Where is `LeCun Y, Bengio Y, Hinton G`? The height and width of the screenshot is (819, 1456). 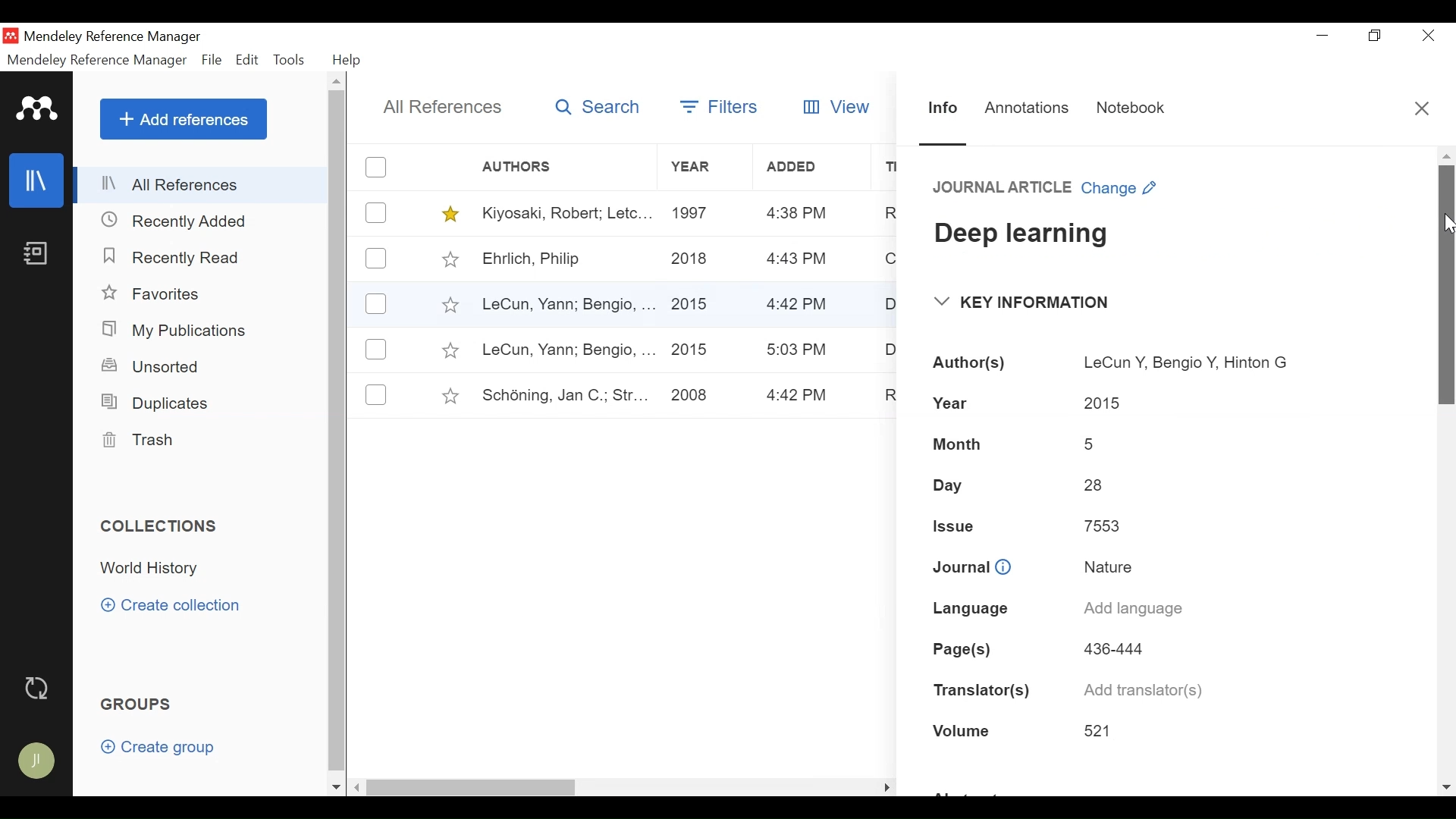 LeCun Y, Bengio Y, Hinton G is located at coordinates (1186, 357).